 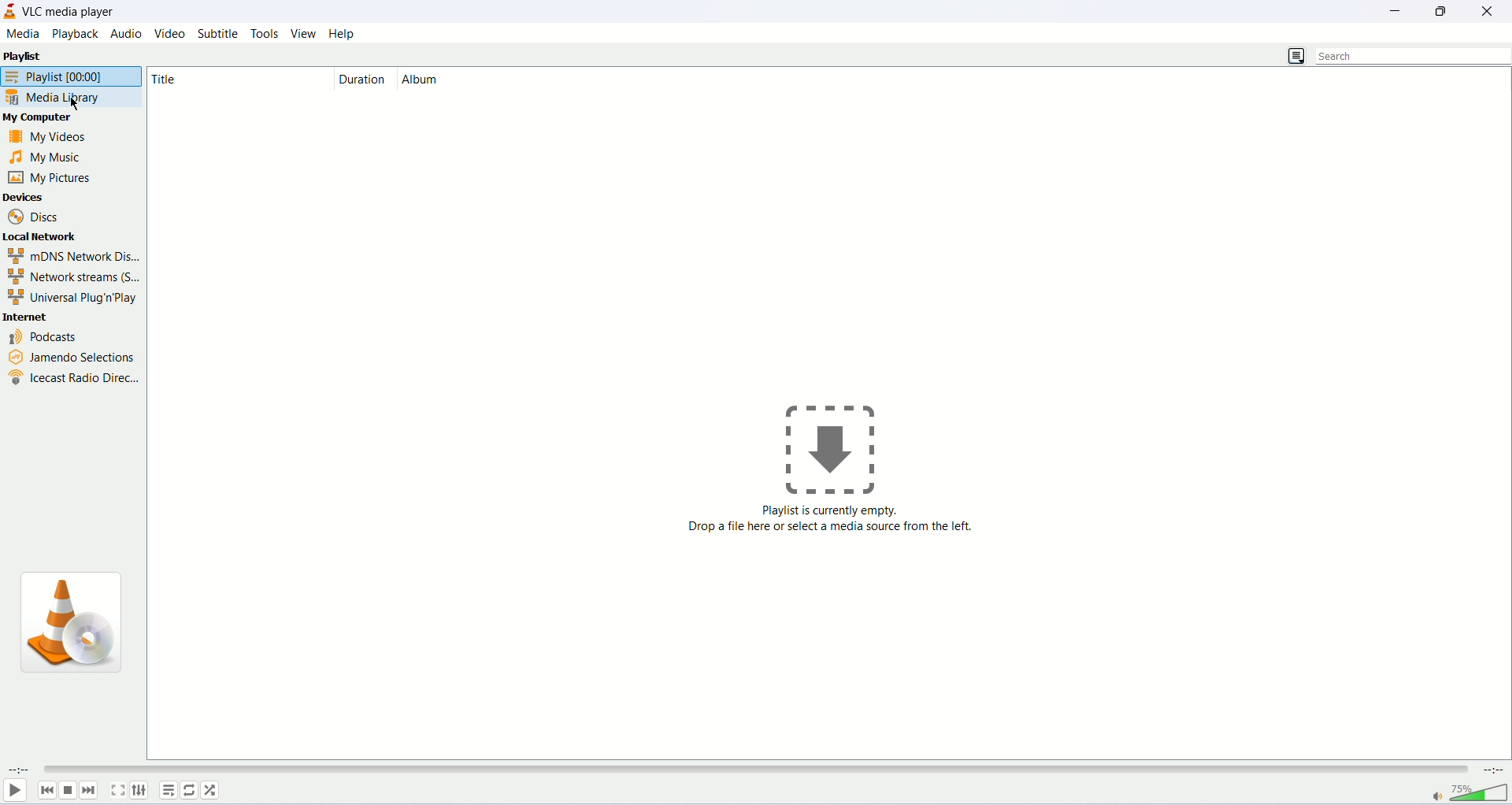 I want to click on mouse cursor, so click(x=78, y=104).